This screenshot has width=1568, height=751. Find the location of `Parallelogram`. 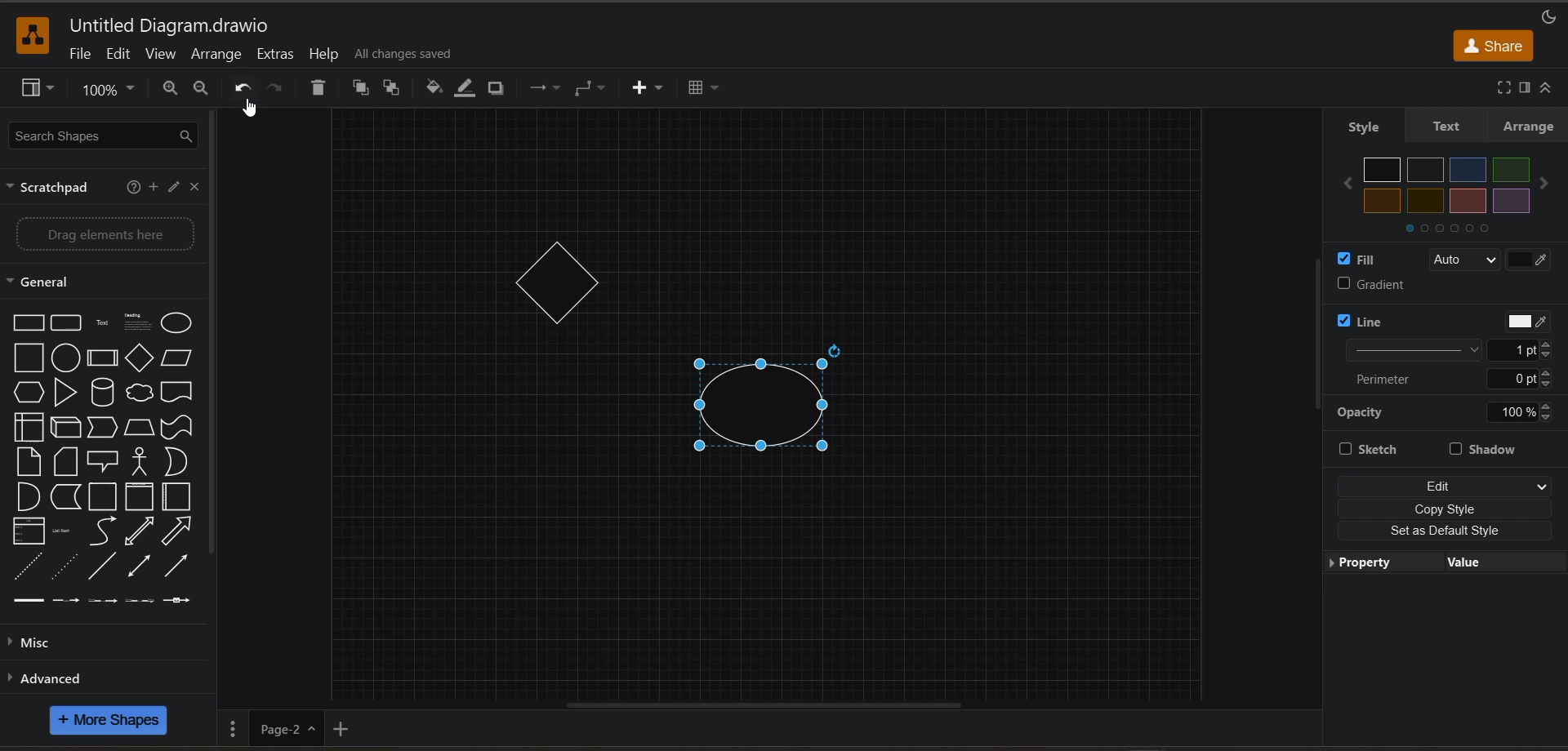

Parallelogram is located at coordinates (177, 357).